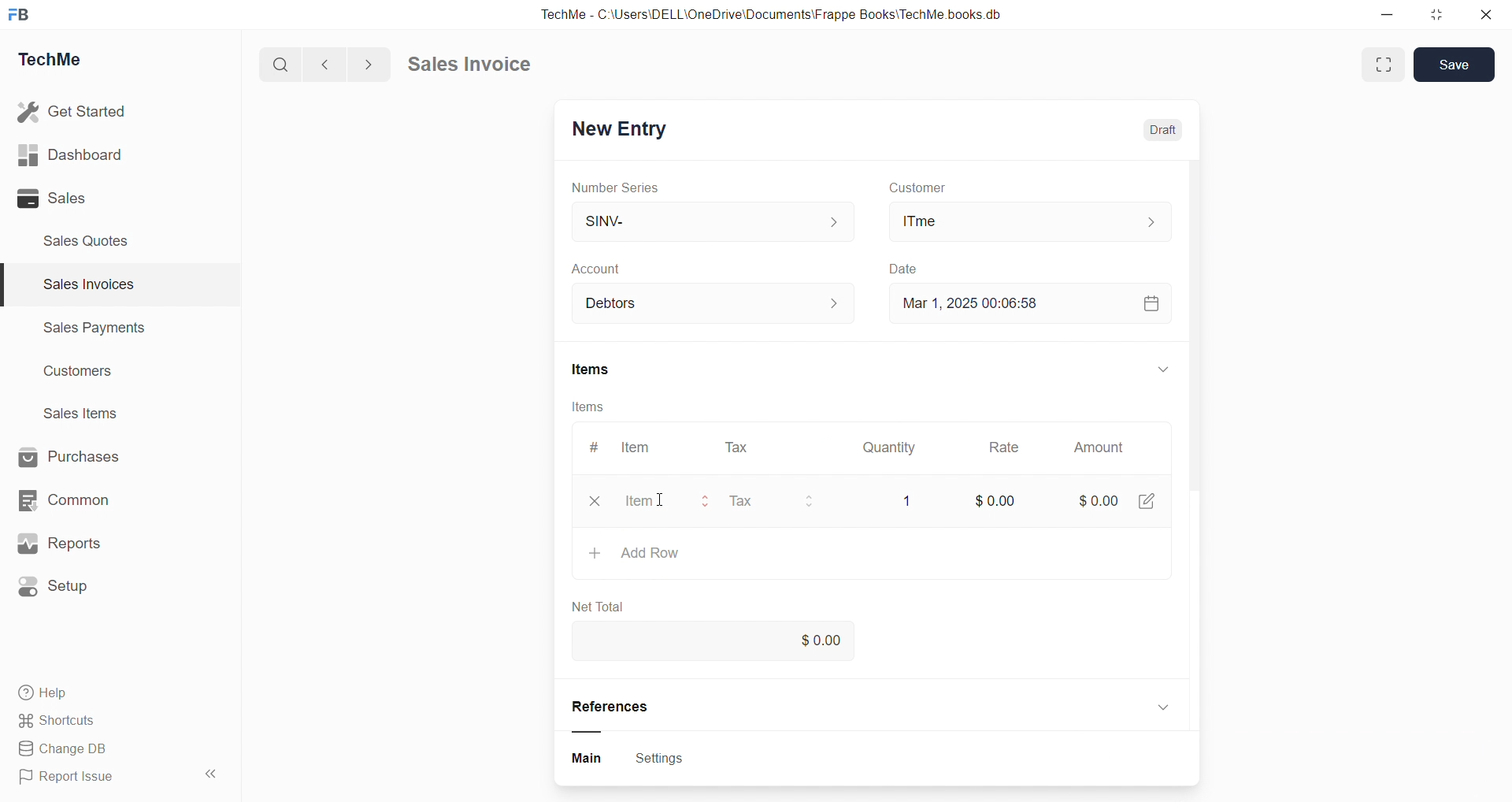 The width and height of the screenshot is (1512, 802). What do you see at coordinates (1443, 13) in the screenshot?
I see `Maximize` at bounding box center [1443, 13].